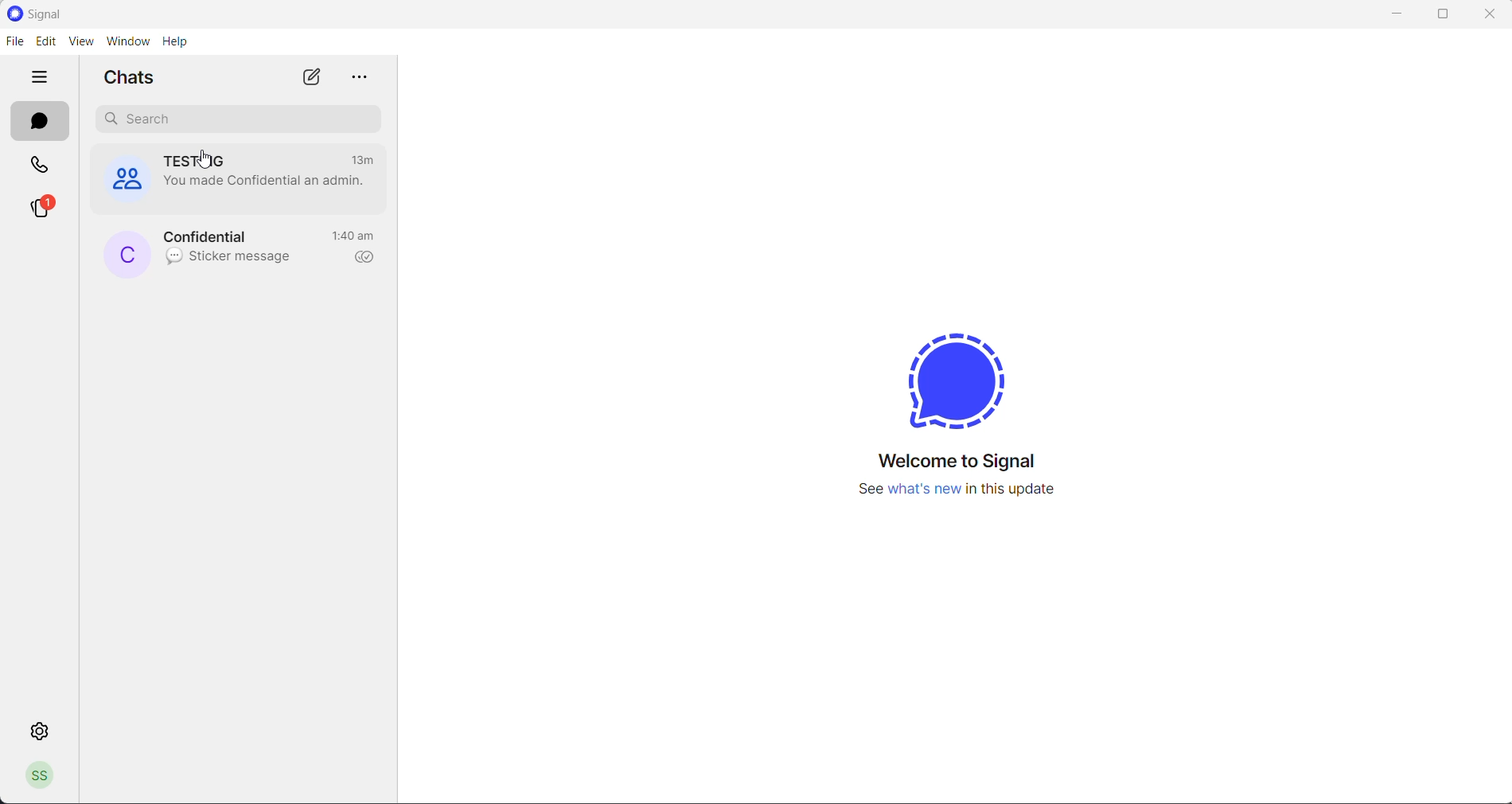  Describe the element at coordinates (44, 209) in the screenshot. I see `stories` at that location.